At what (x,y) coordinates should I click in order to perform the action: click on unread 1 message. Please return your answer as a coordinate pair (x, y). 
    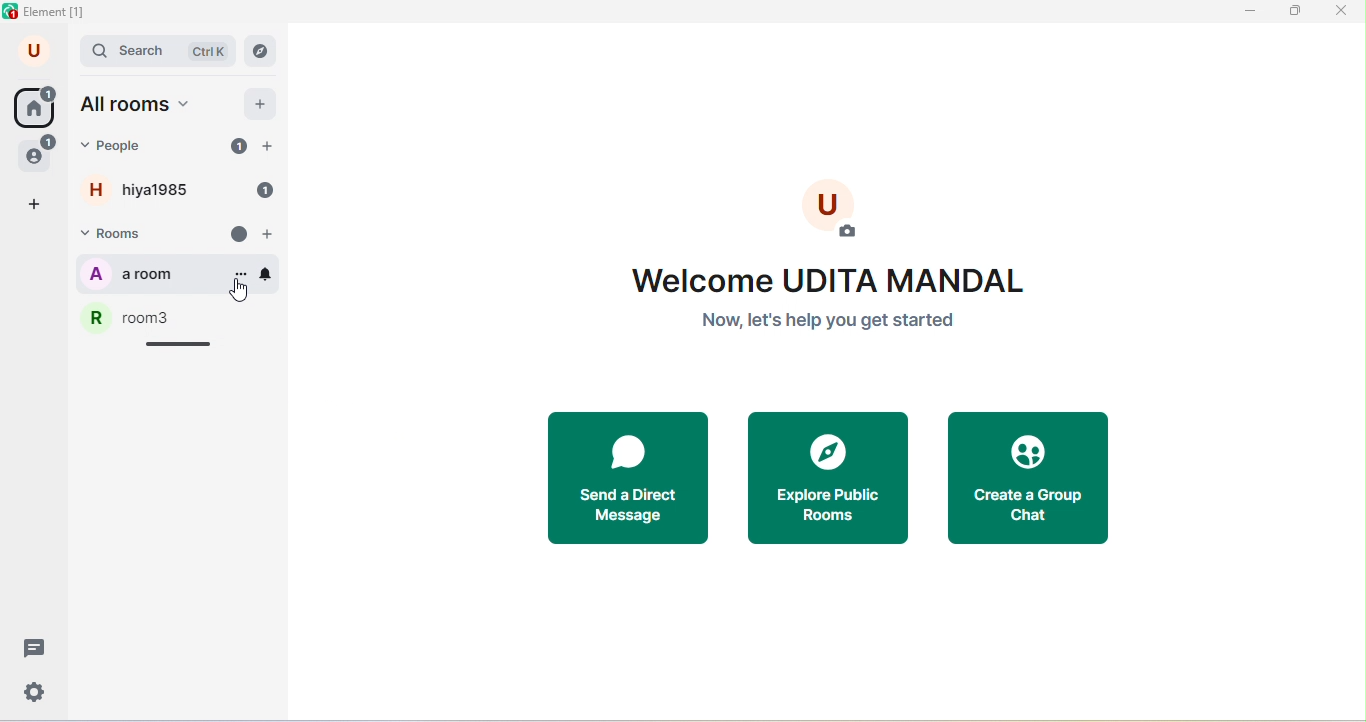
    Looking at the image, I should click on (260, 190).